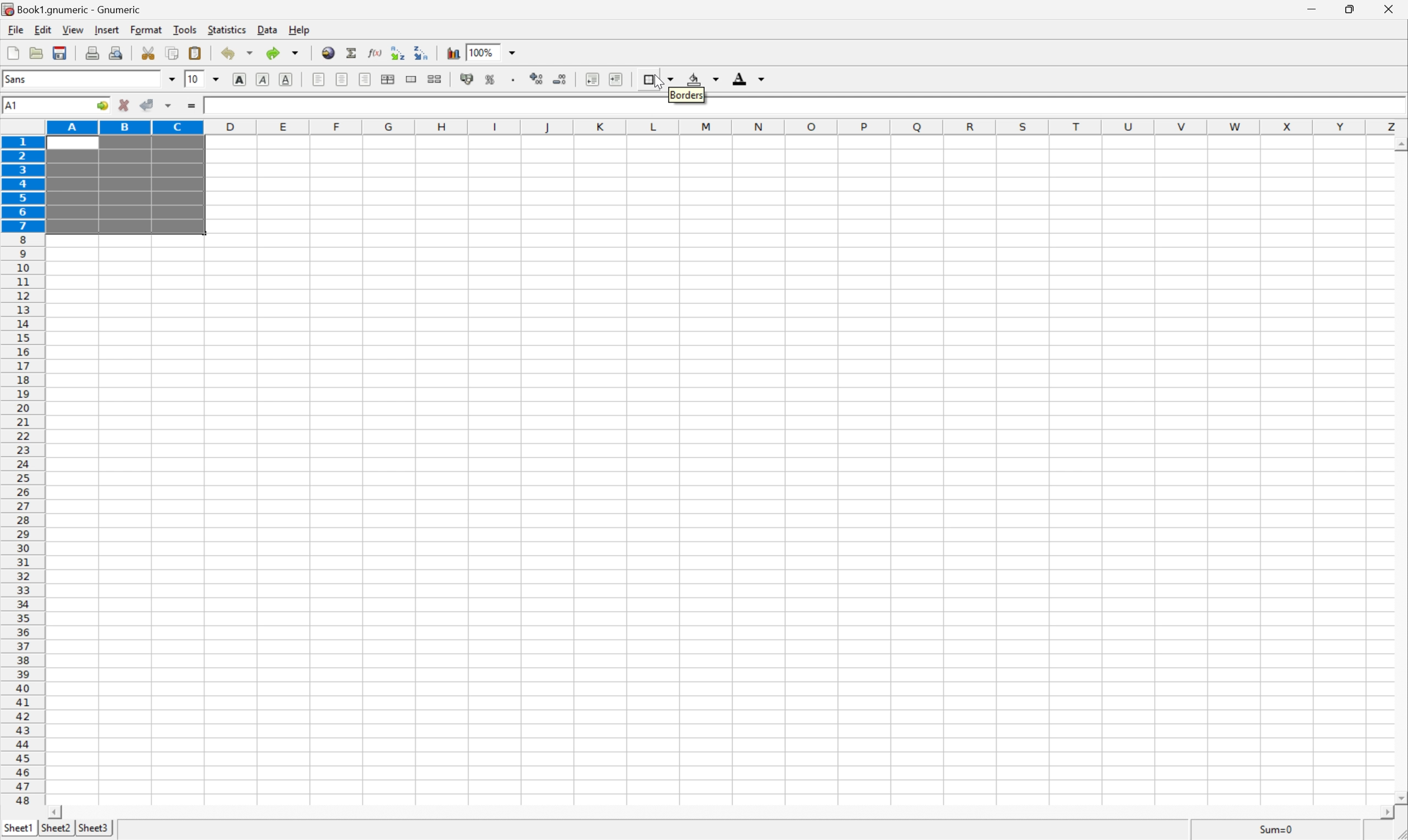 The image size is (1408, 840). What do you see at coordinates (72, 9) in the screenshot?
I see `book1.gnumeric - Gnumeric` at bounding box center [72, 9].